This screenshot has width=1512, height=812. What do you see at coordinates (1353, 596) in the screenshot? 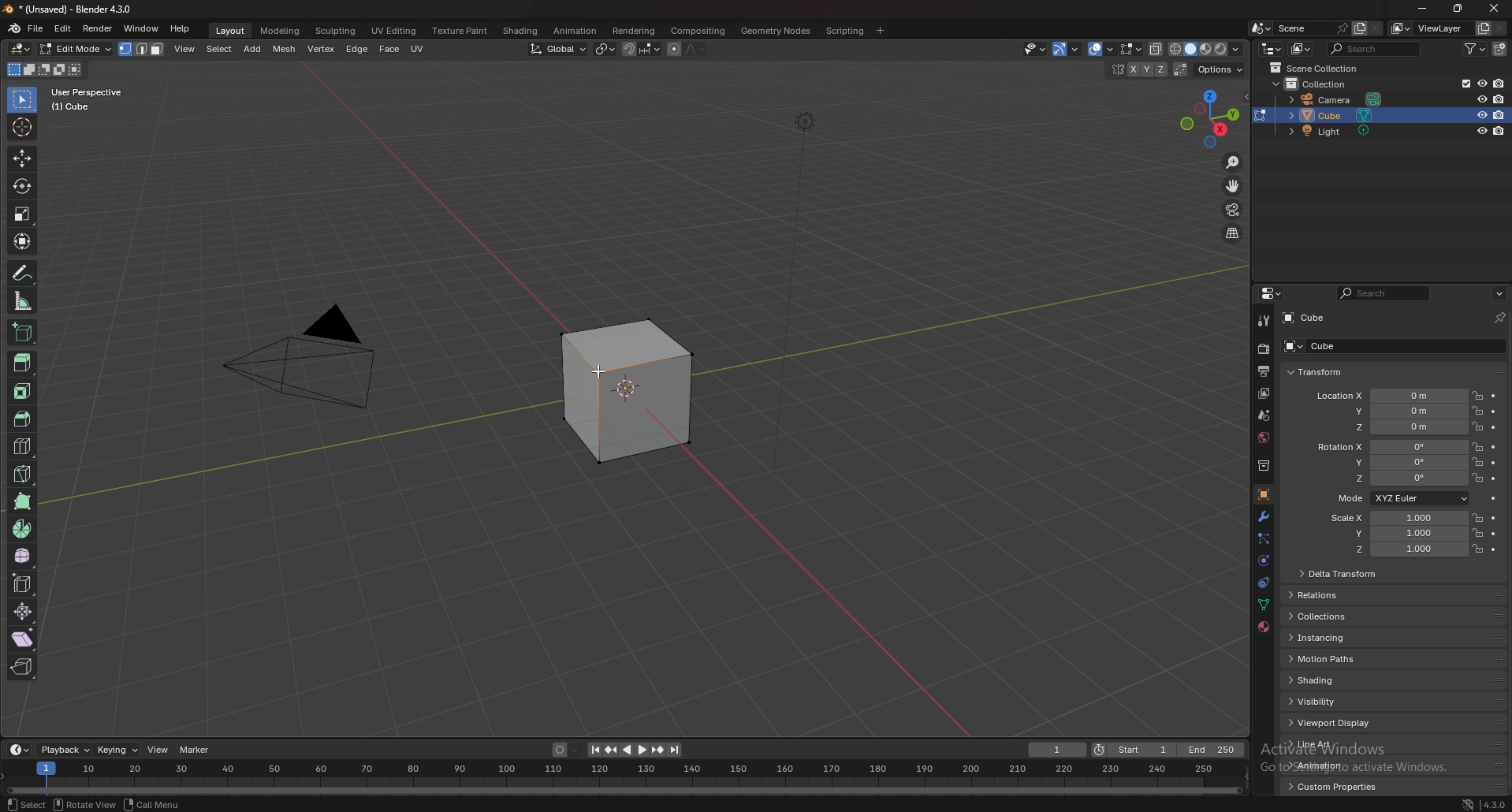
I see `relations` at bounding box center [1353, 596].